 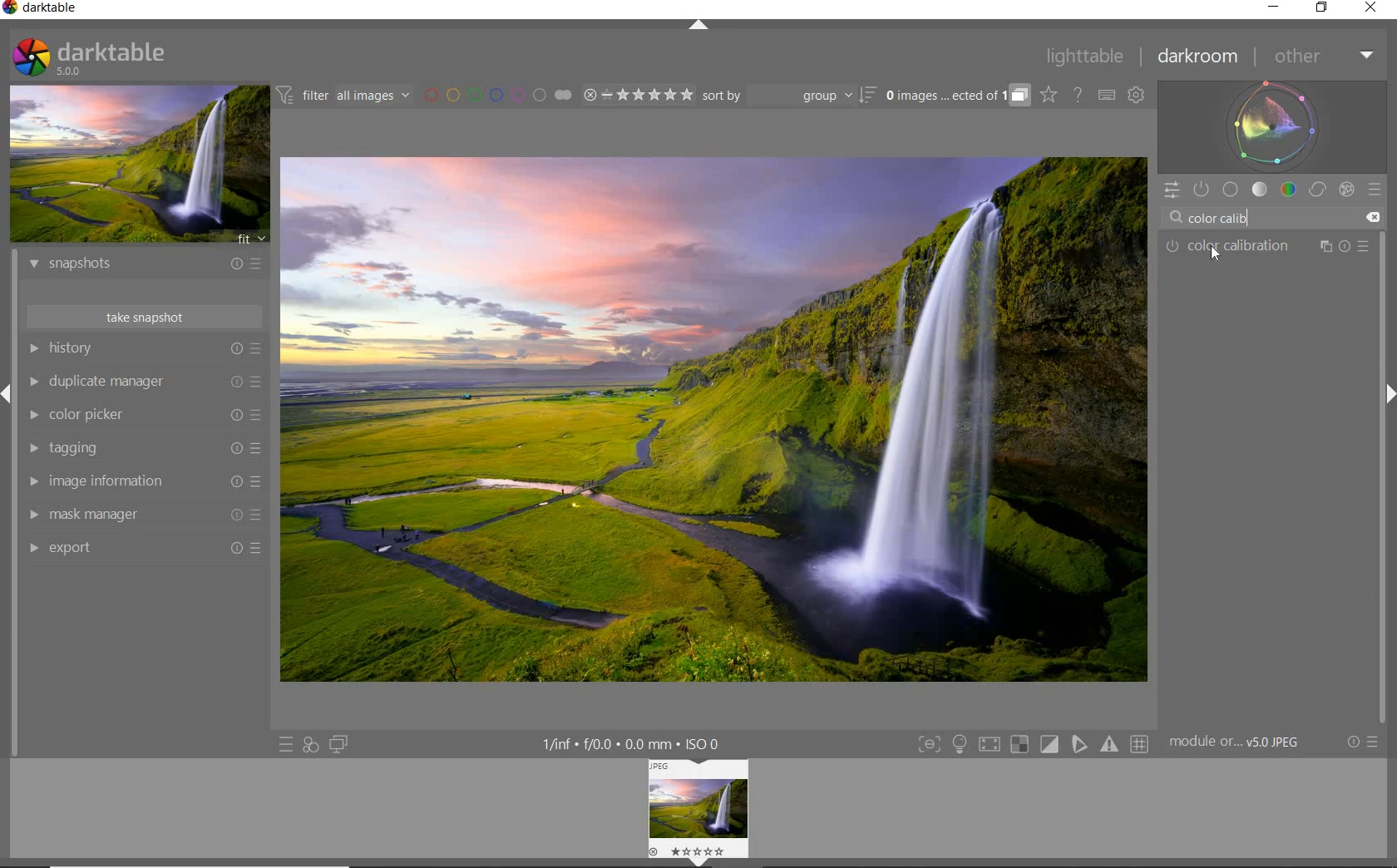 What do you see at coordinates (704, 862) in the screenshot?
I see `Expand/Collapse` at bounding box center [704, 862].